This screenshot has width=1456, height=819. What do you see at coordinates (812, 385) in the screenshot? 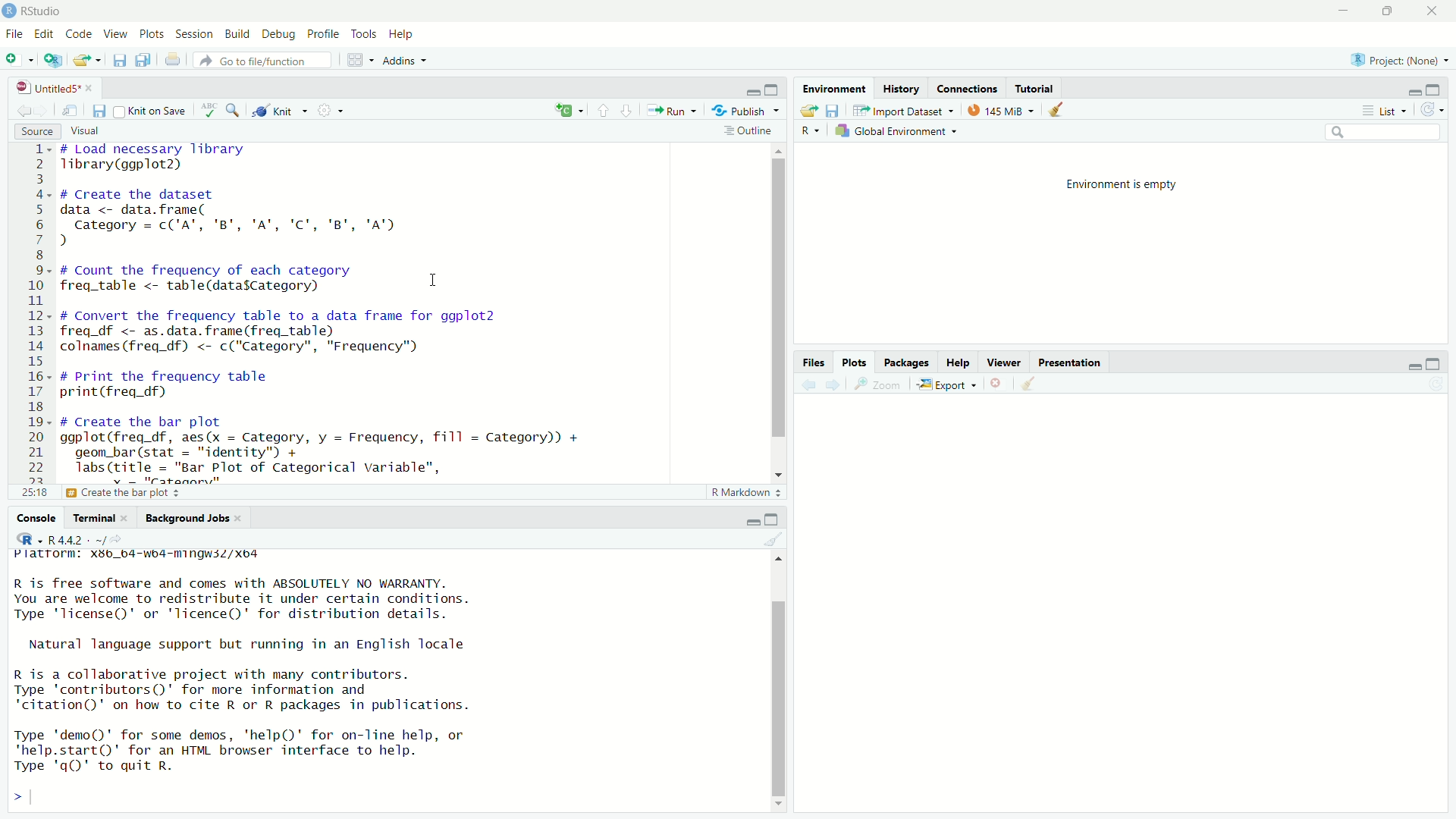
I see `back` at bounding box center [812, 385].